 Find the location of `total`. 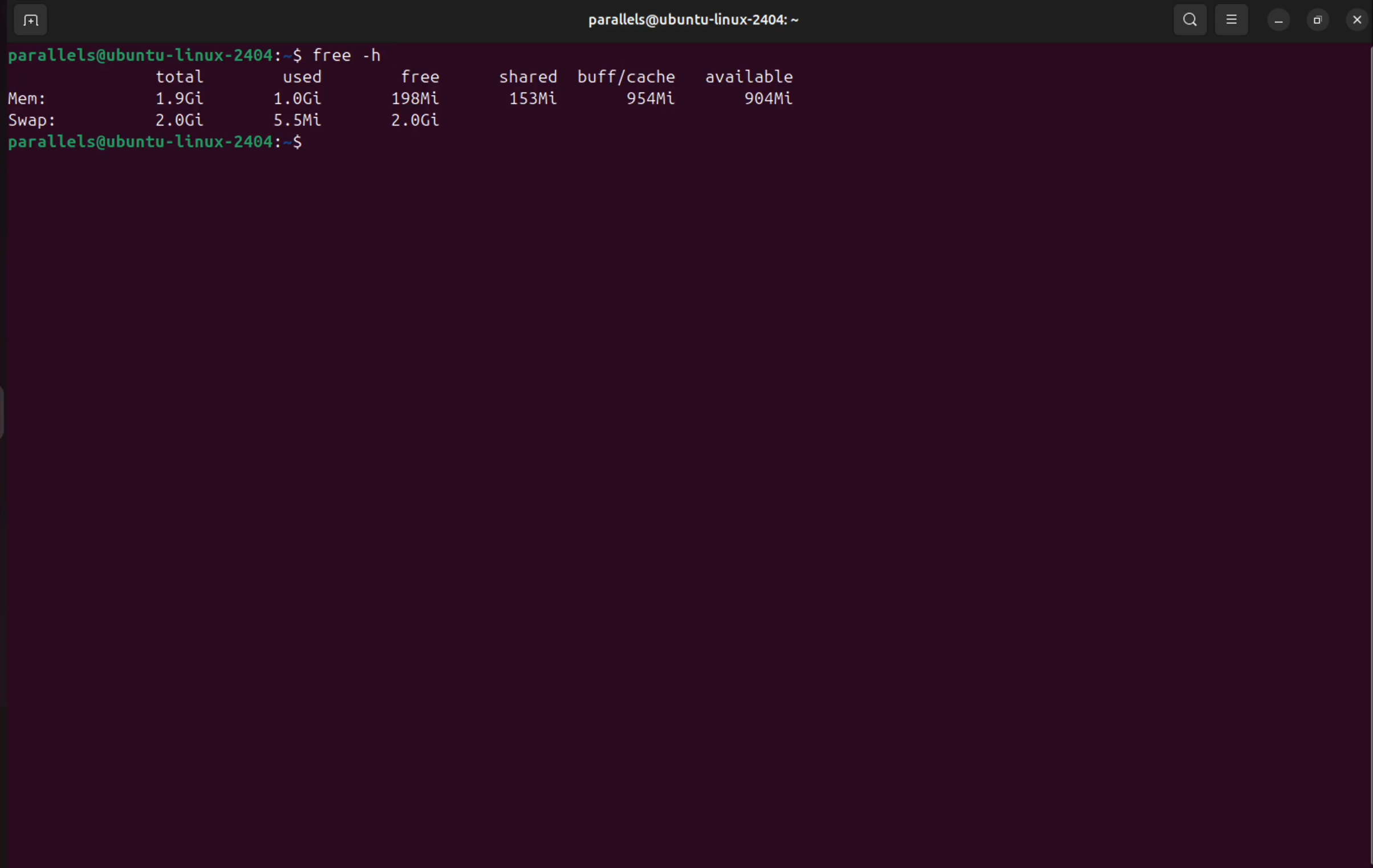

total is located at coordinates (182, 76).